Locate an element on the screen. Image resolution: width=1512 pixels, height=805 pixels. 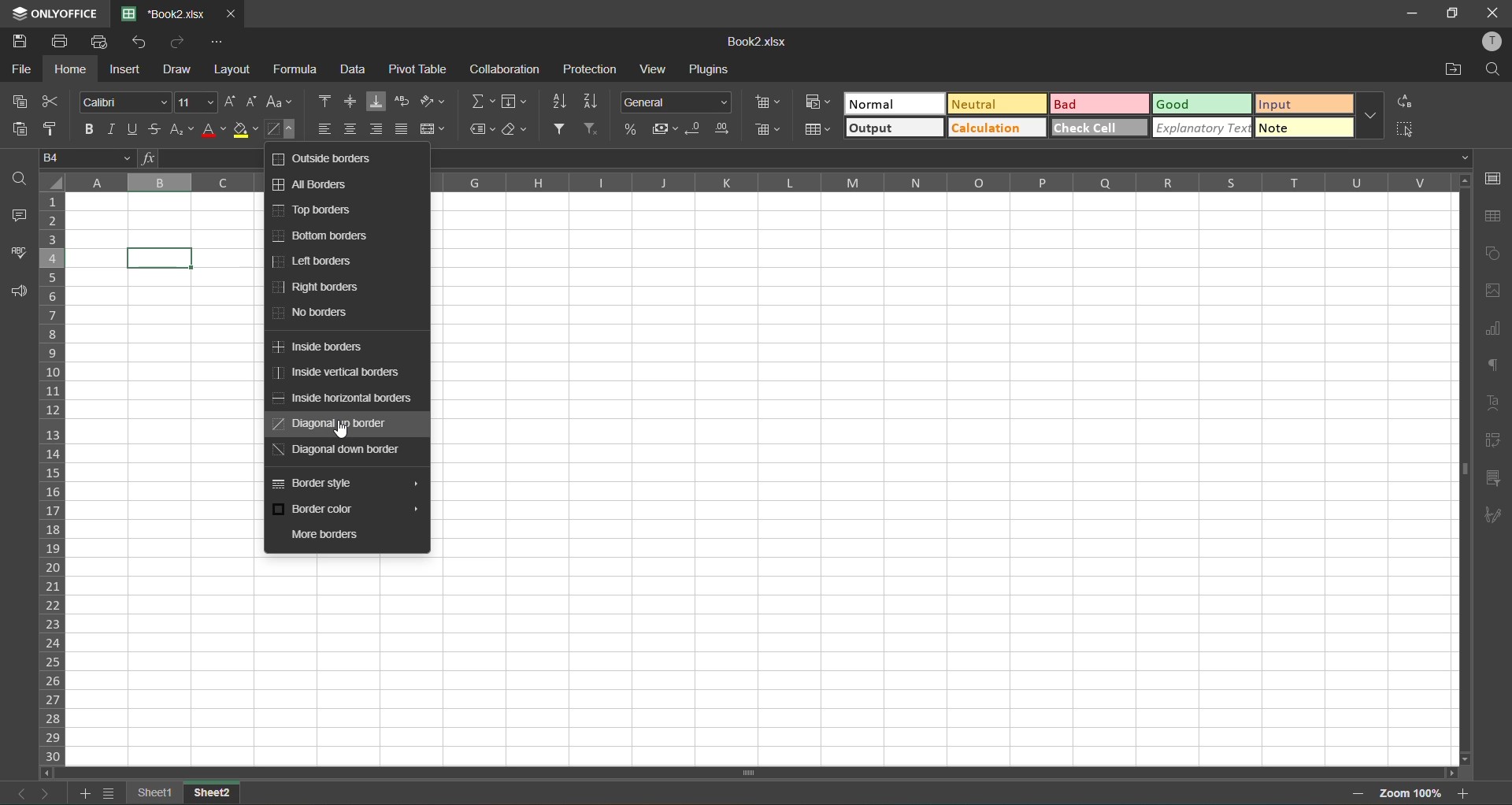
increase decimal is located at coordinates (723, 131).